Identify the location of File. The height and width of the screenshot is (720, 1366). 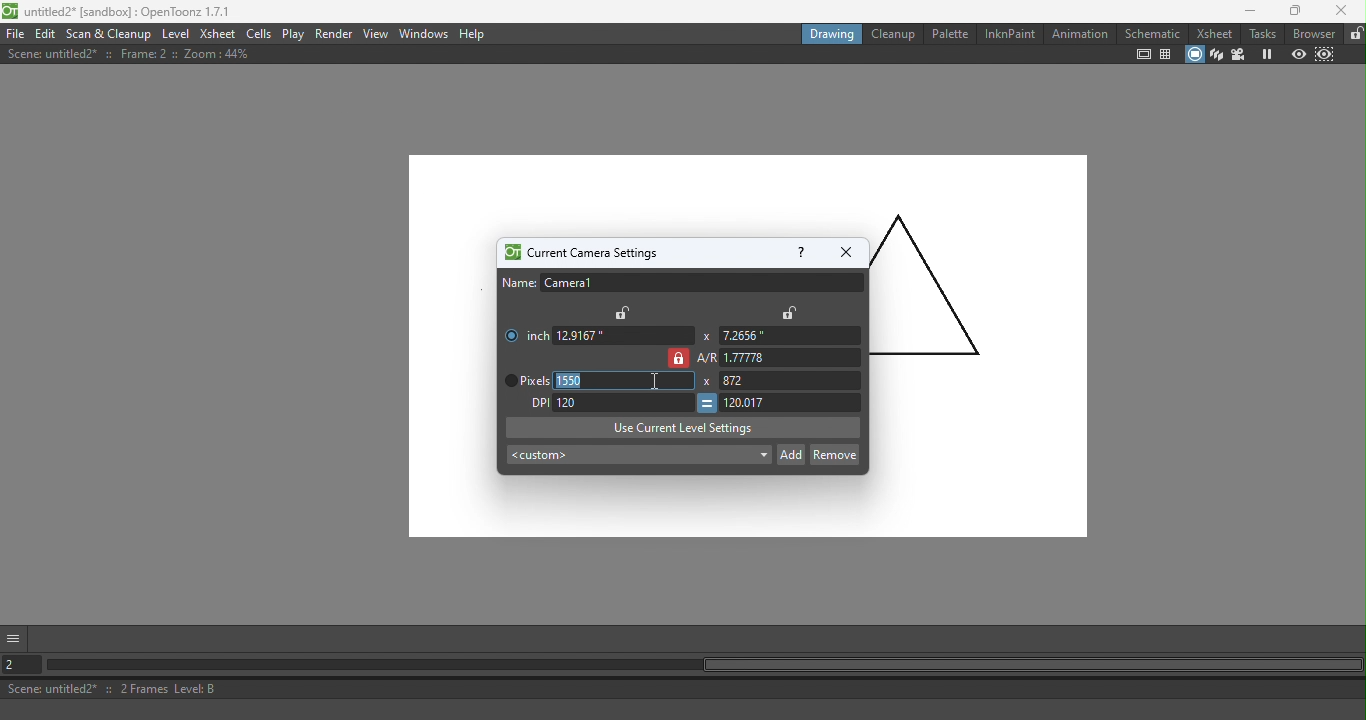
(15, 33).